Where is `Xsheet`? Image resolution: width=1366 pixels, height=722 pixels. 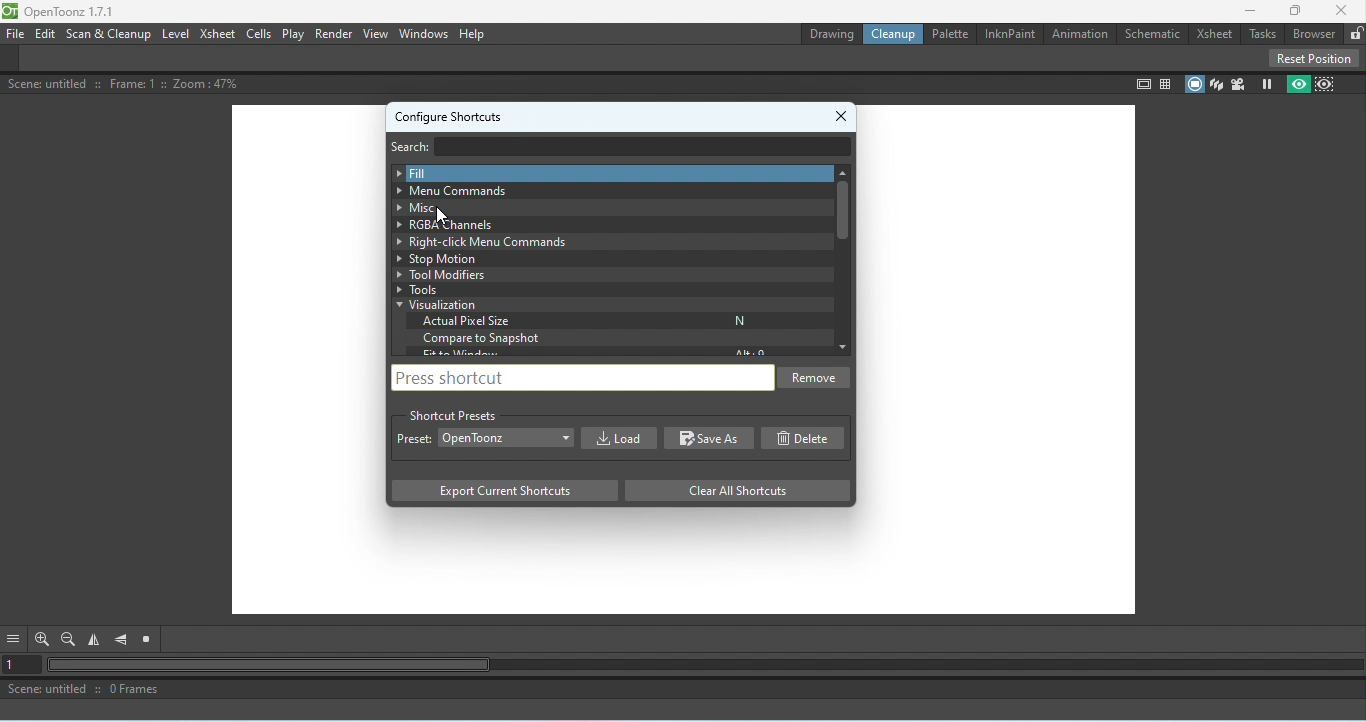
Xsheet is located at coordinates (218, 34).